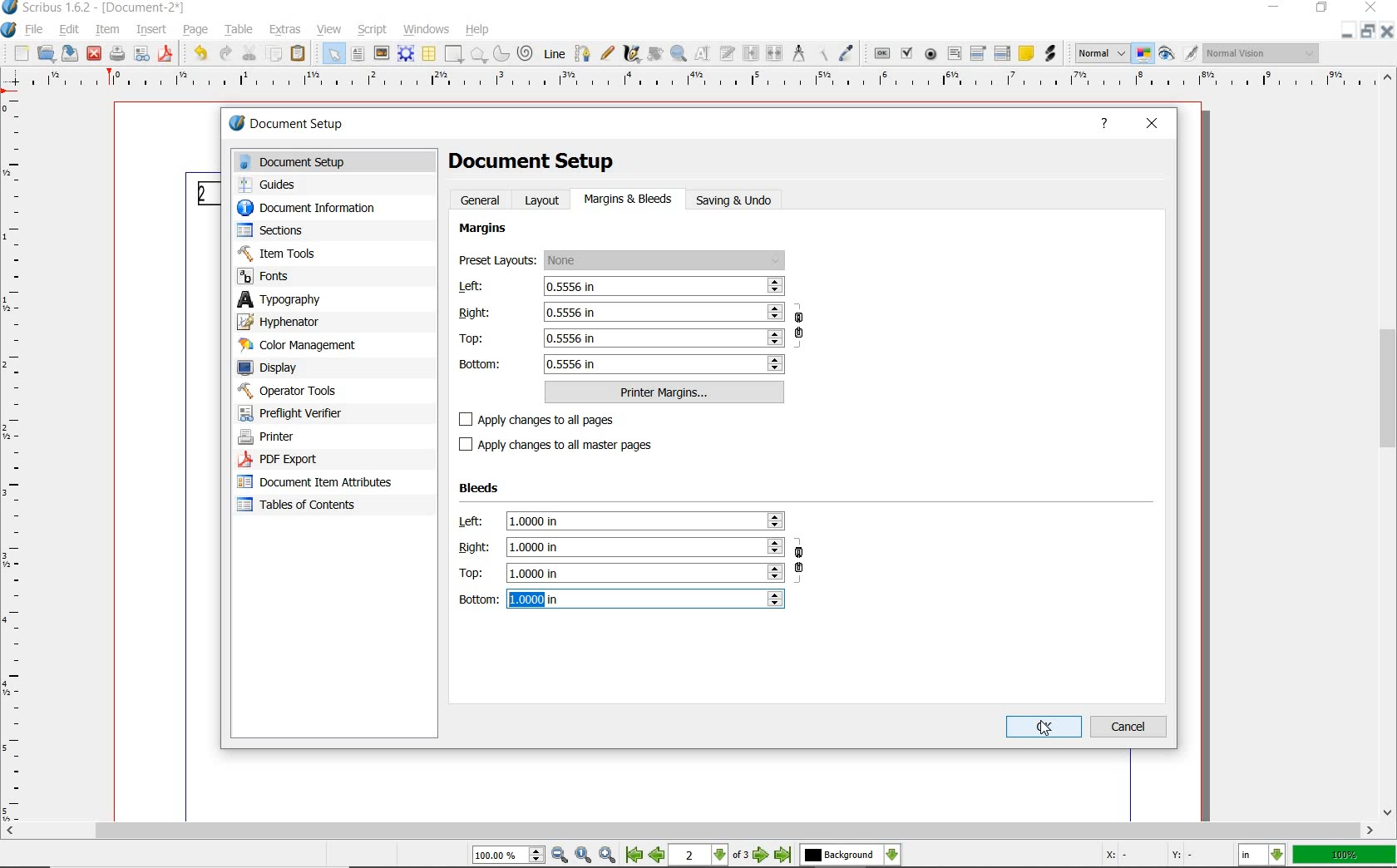 This screenshot has height=868, width=1397. I want to click on cut, so click(249, 52).